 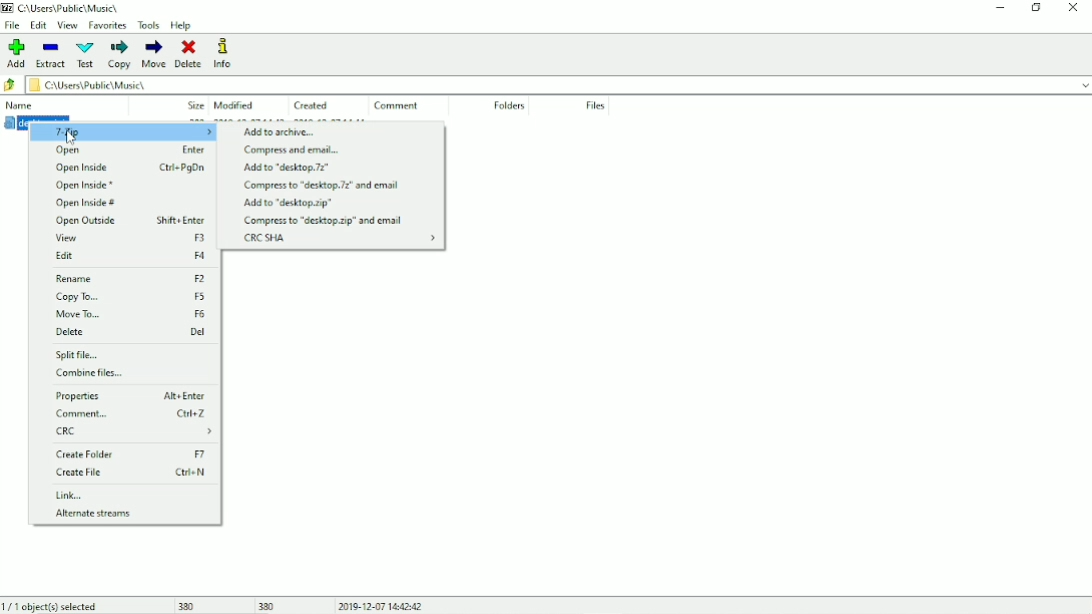 What do you see at coordinates (129, 314) in the screenshot?
I see `Move To` at bounding box center [129, 314].